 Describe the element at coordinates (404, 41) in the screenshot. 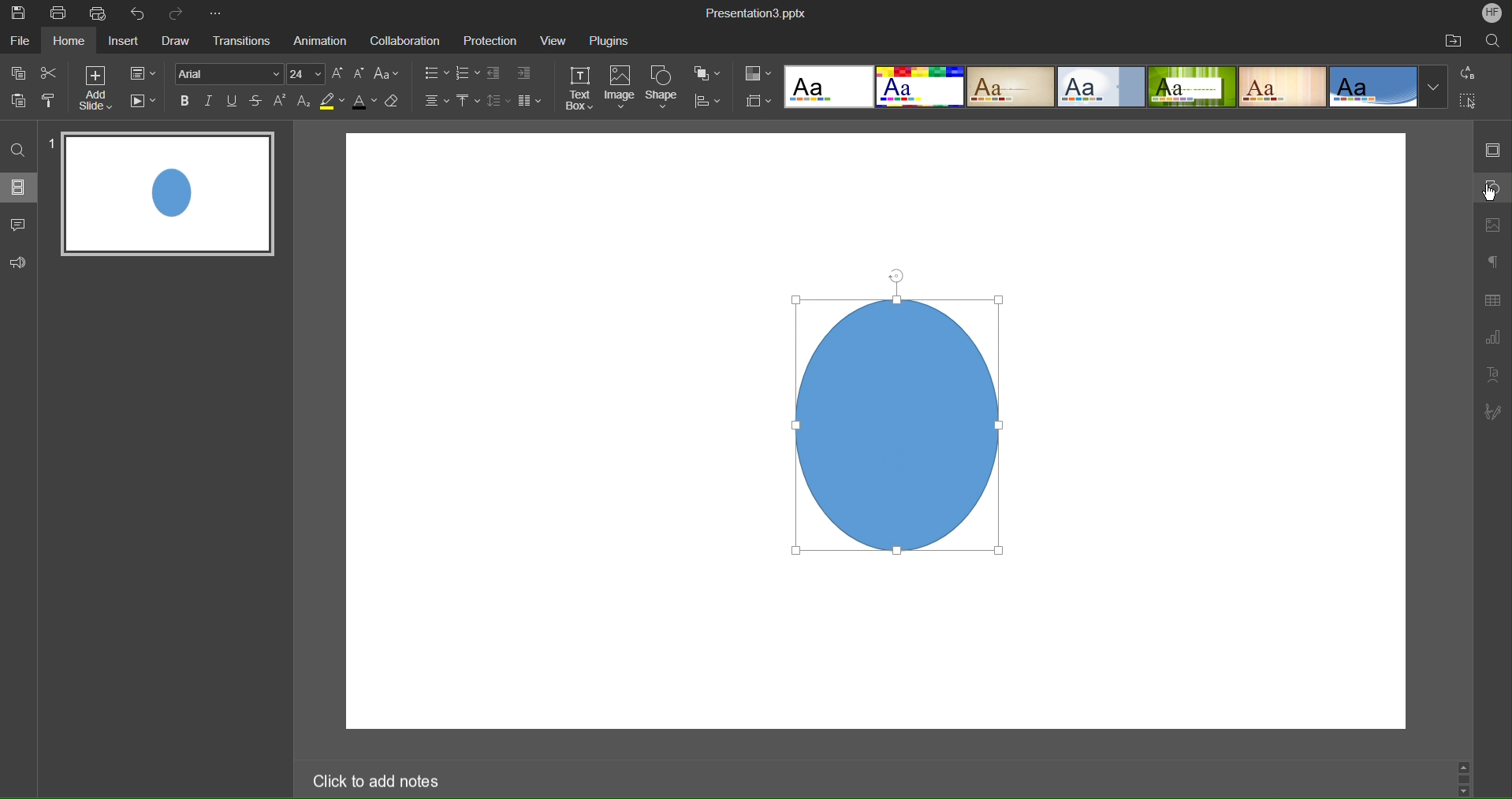

I see `Collaboration` at that location.